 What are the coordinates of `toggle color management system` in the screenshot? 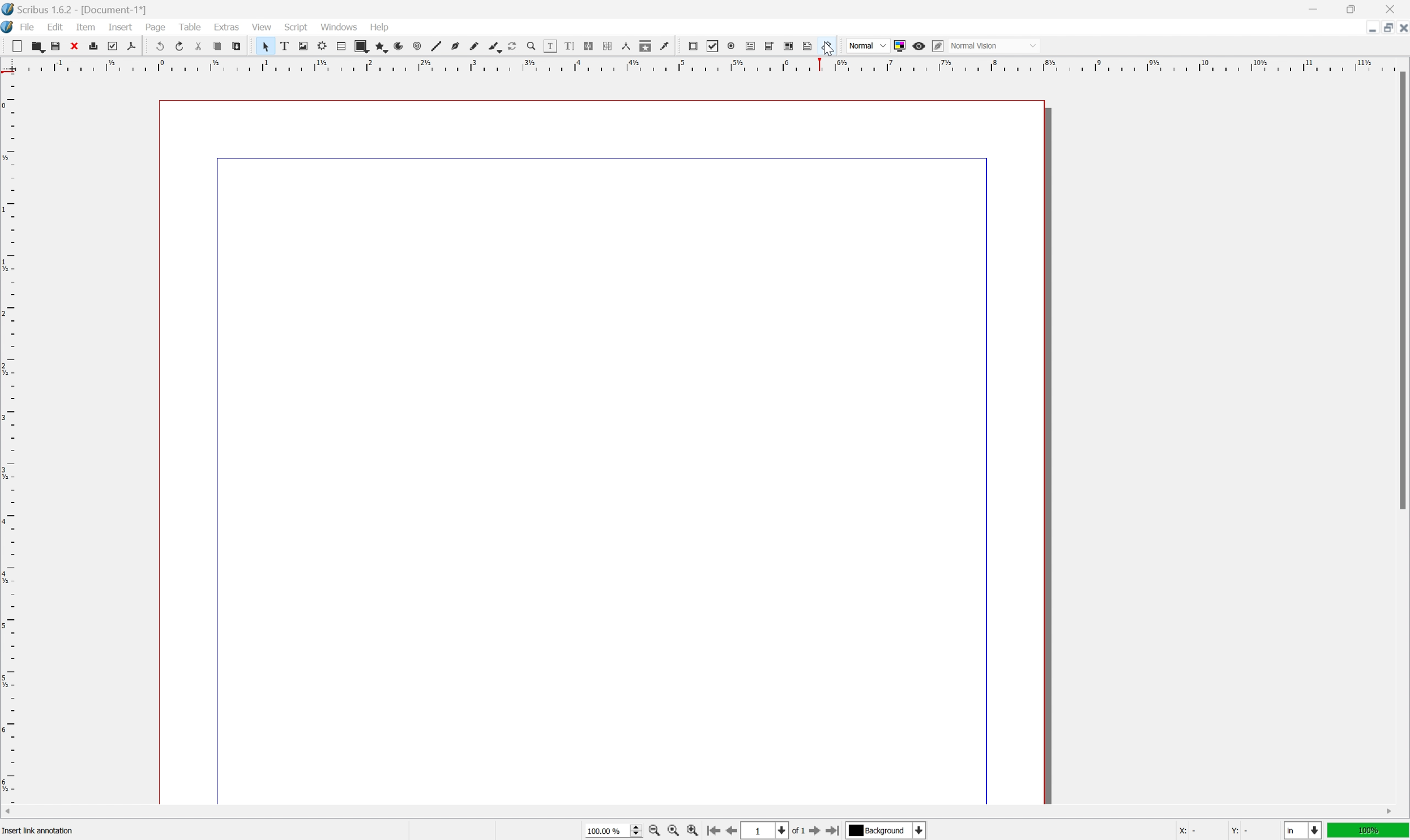 It's located at (900, 46).